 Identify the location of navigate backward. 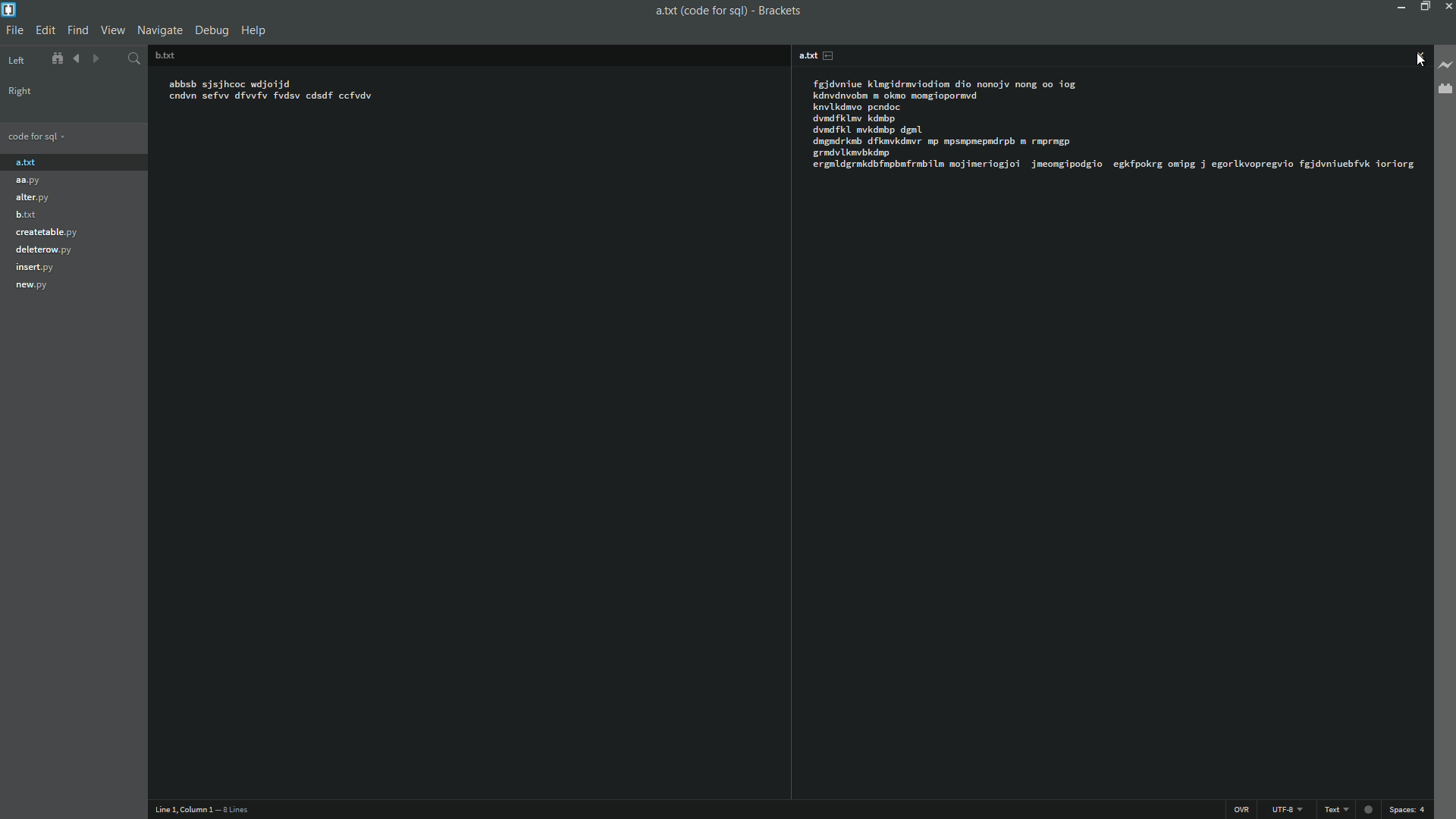
(74, 59).